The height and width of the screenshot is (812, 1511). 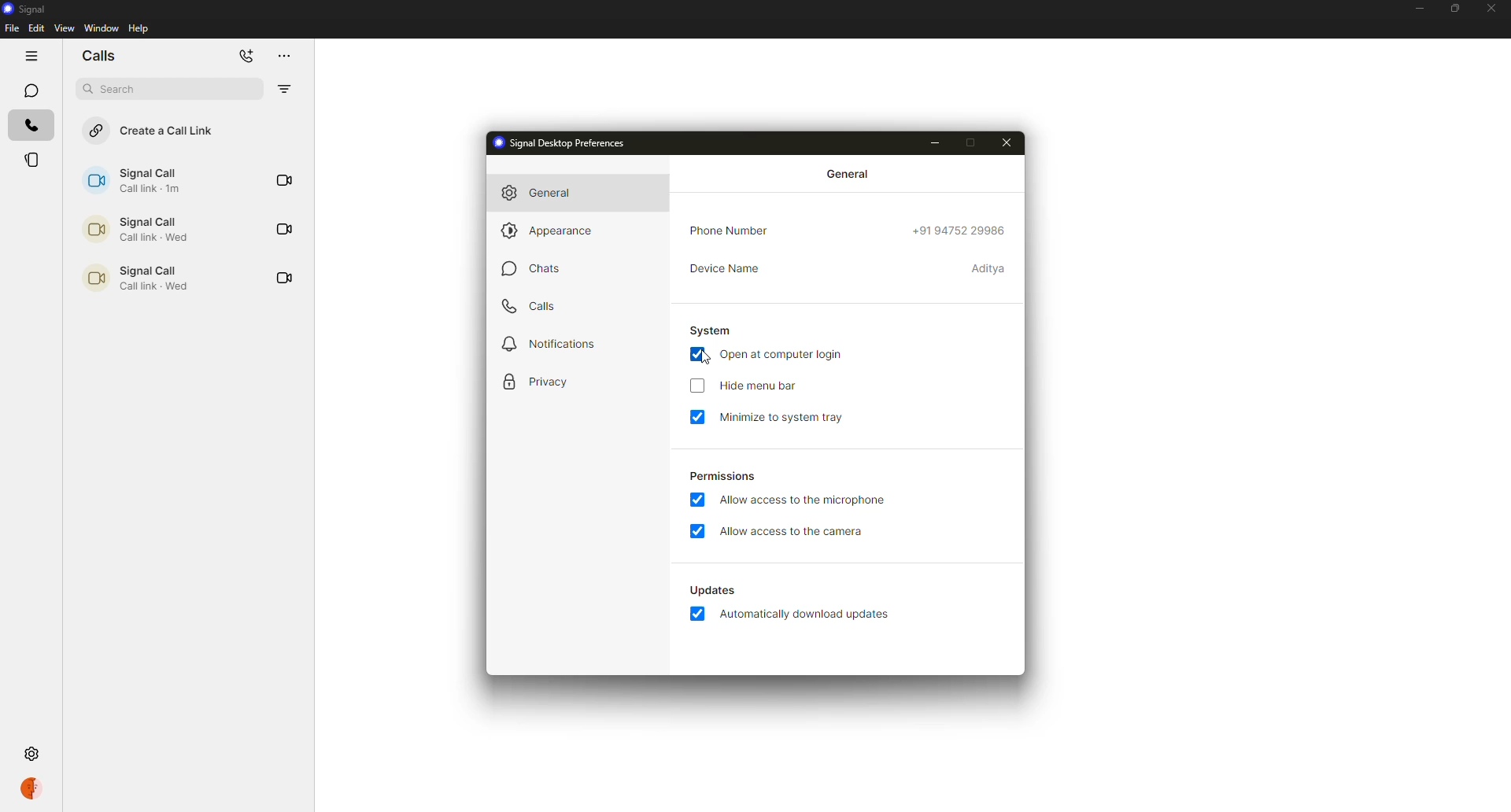 What do you see at coordinates (283, 180) in the screenshot?
I see `video` at bounding box center [283, 180].